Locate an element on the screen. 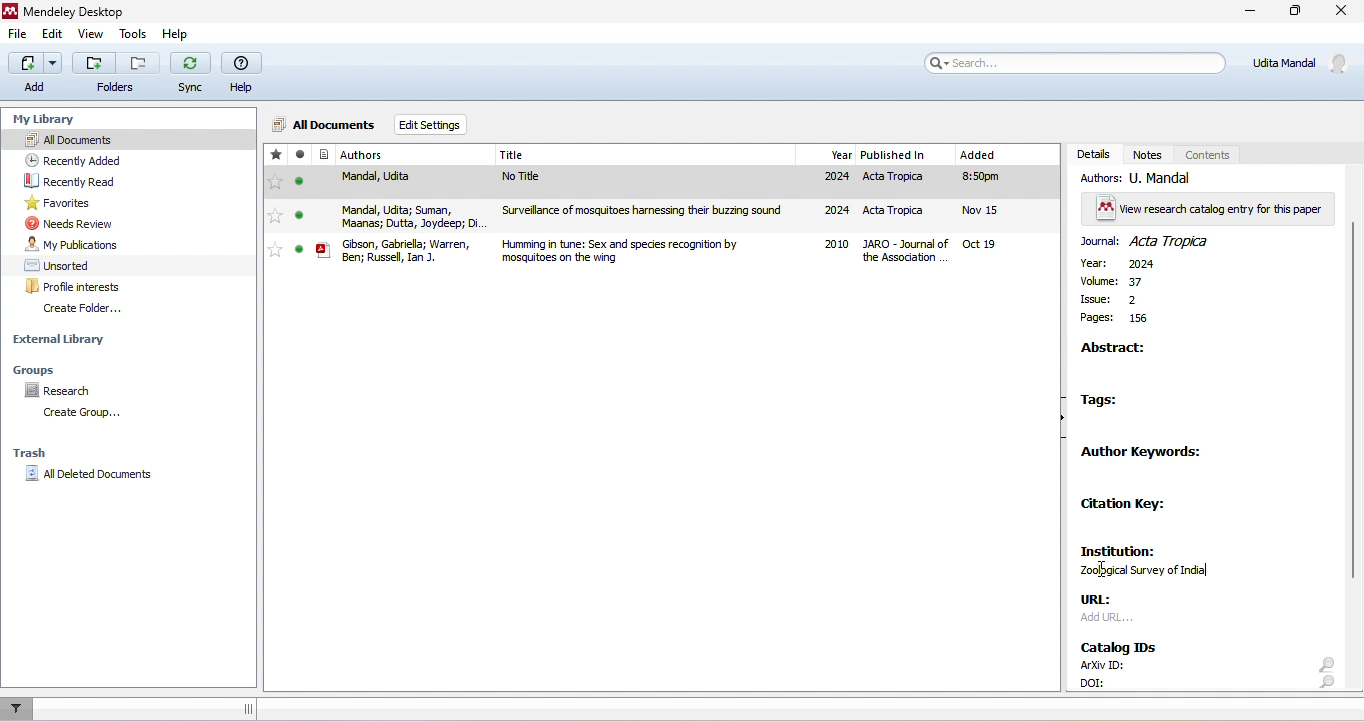 The width and height of the screenshot is (1364, 722). filter is located at coordinates (18, 709).